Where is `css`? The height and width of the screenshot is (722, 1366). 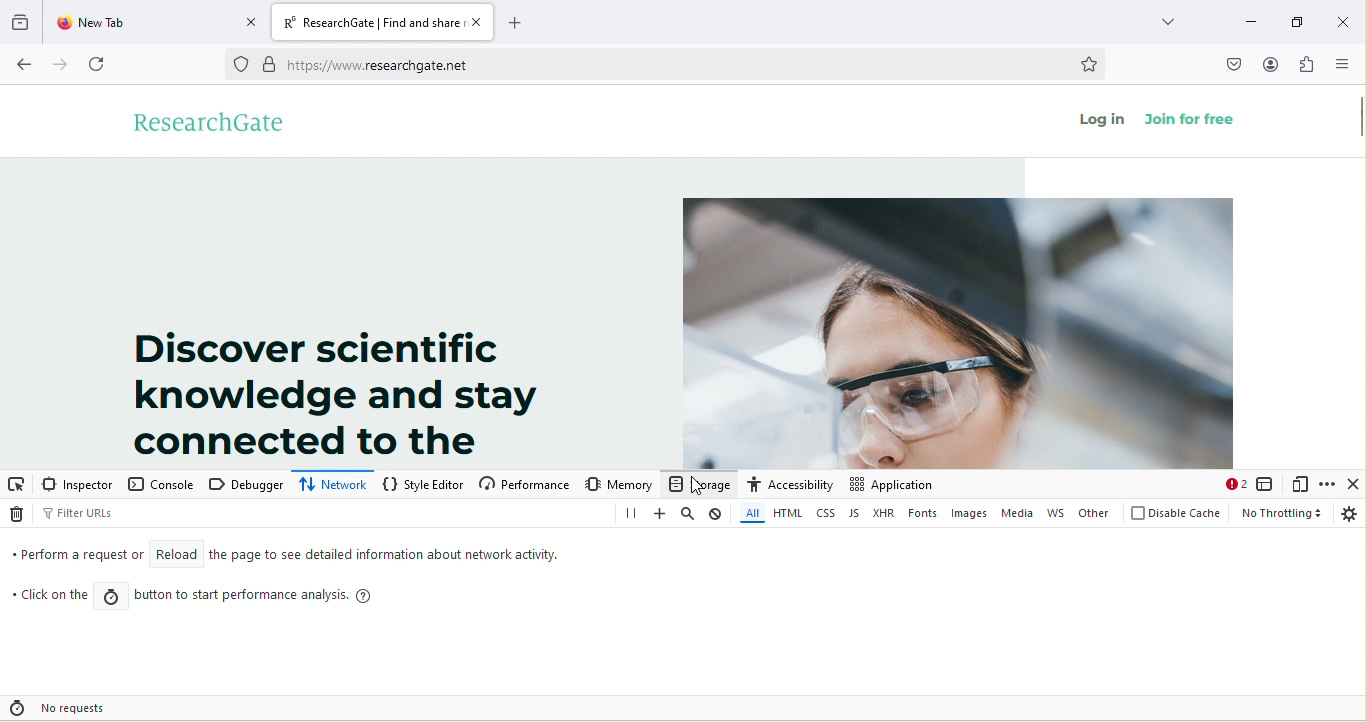 css is located at coordinates (823, 516).